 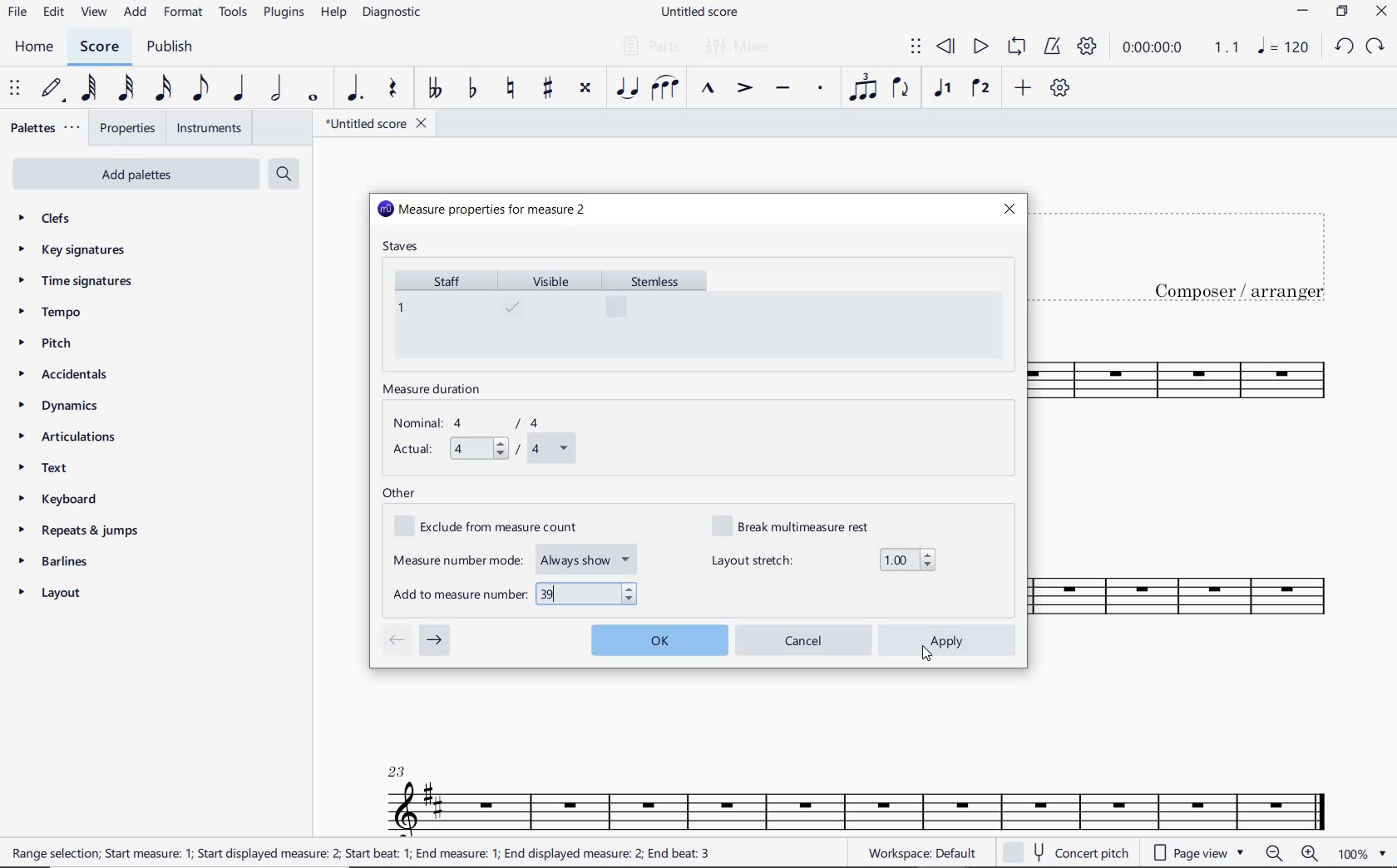 What do you see at coordinates (397, 13) in the screenshot?
I see `DIAGNOSTIC` at bounding box center [397, 13].